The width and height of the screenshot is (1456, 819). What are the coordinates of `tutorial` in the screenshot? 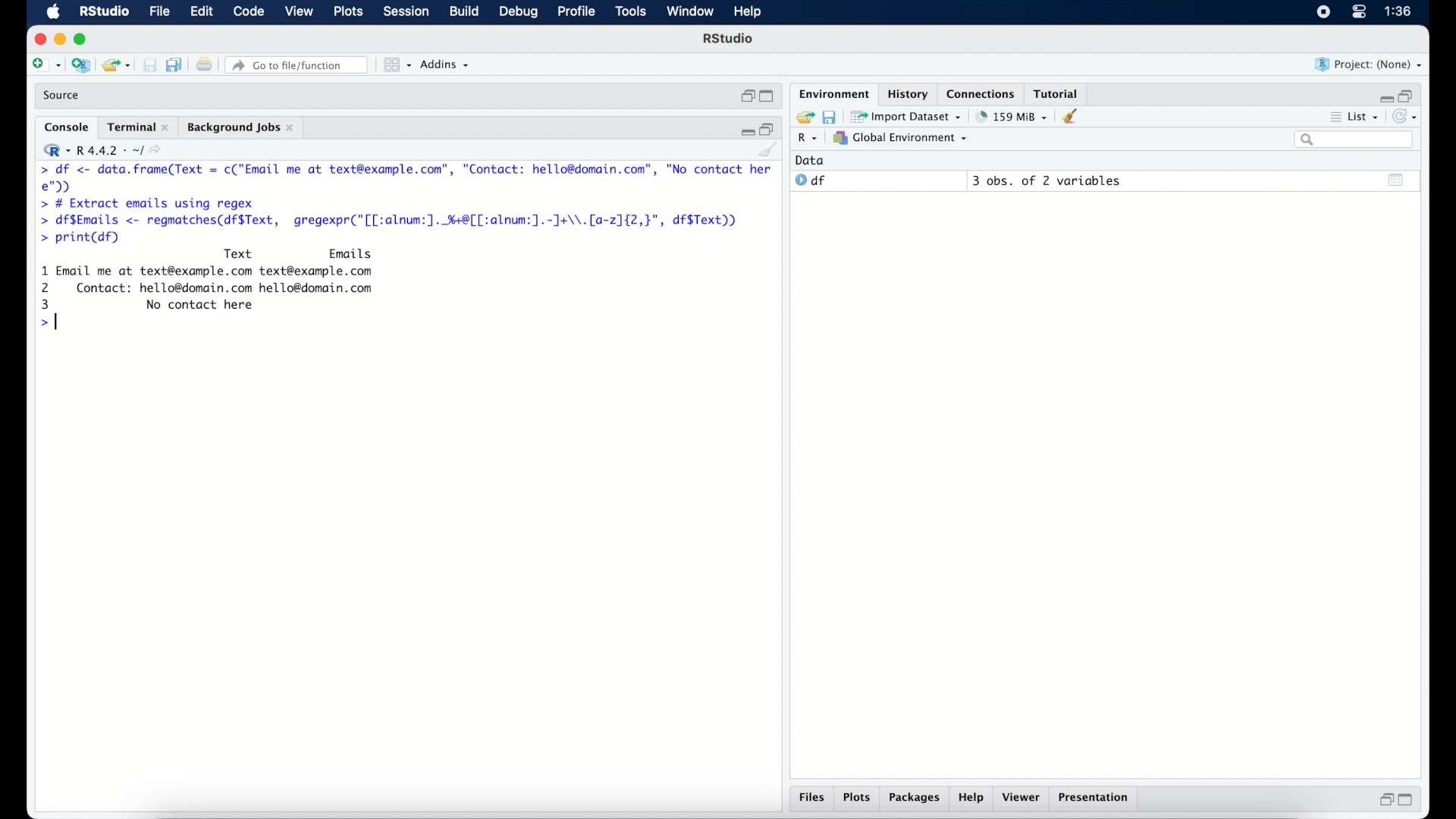 It's located at (1059, 92).